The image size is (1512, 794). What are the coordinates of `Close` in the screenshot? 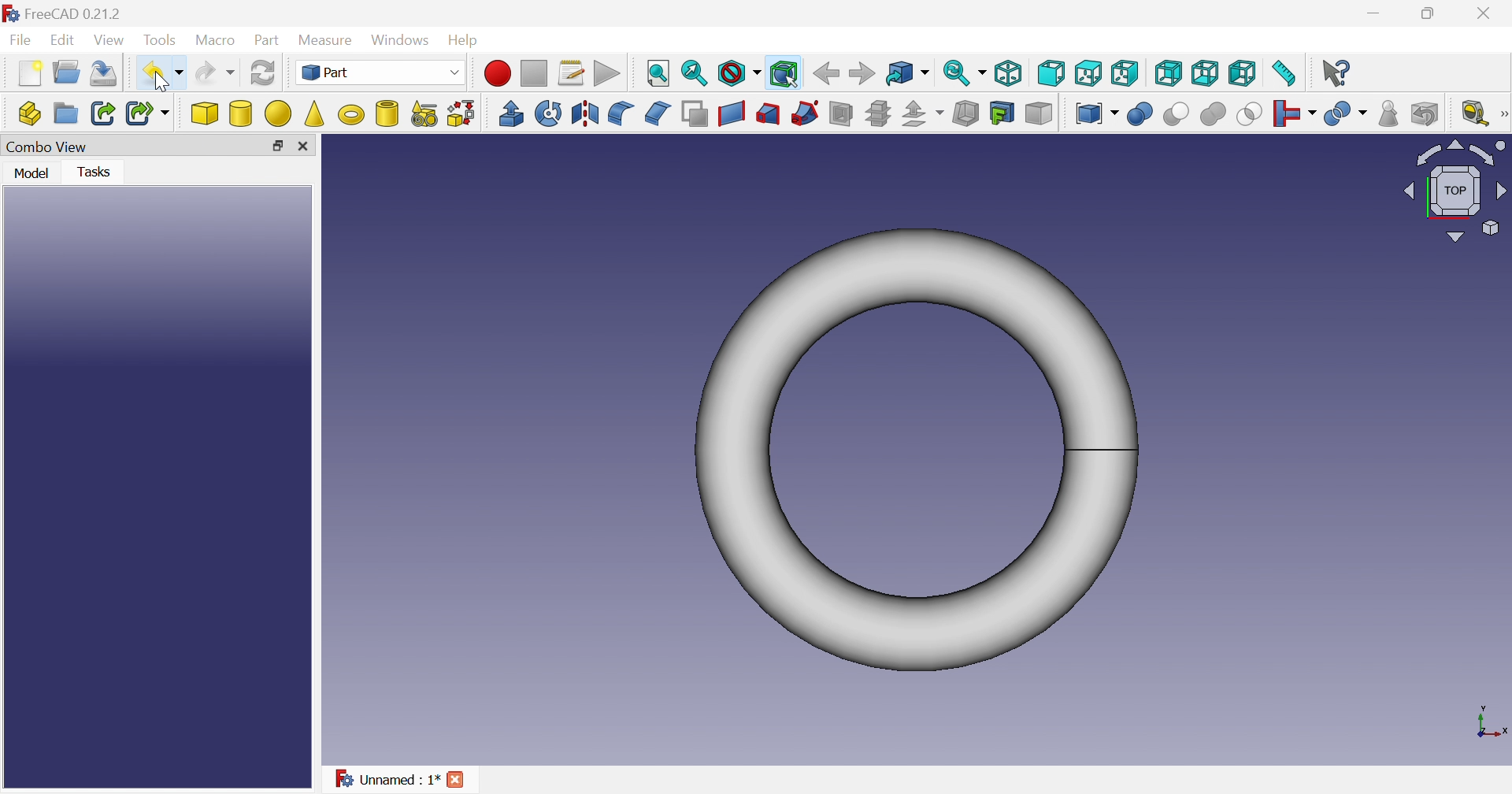 It's located at (456, 781).